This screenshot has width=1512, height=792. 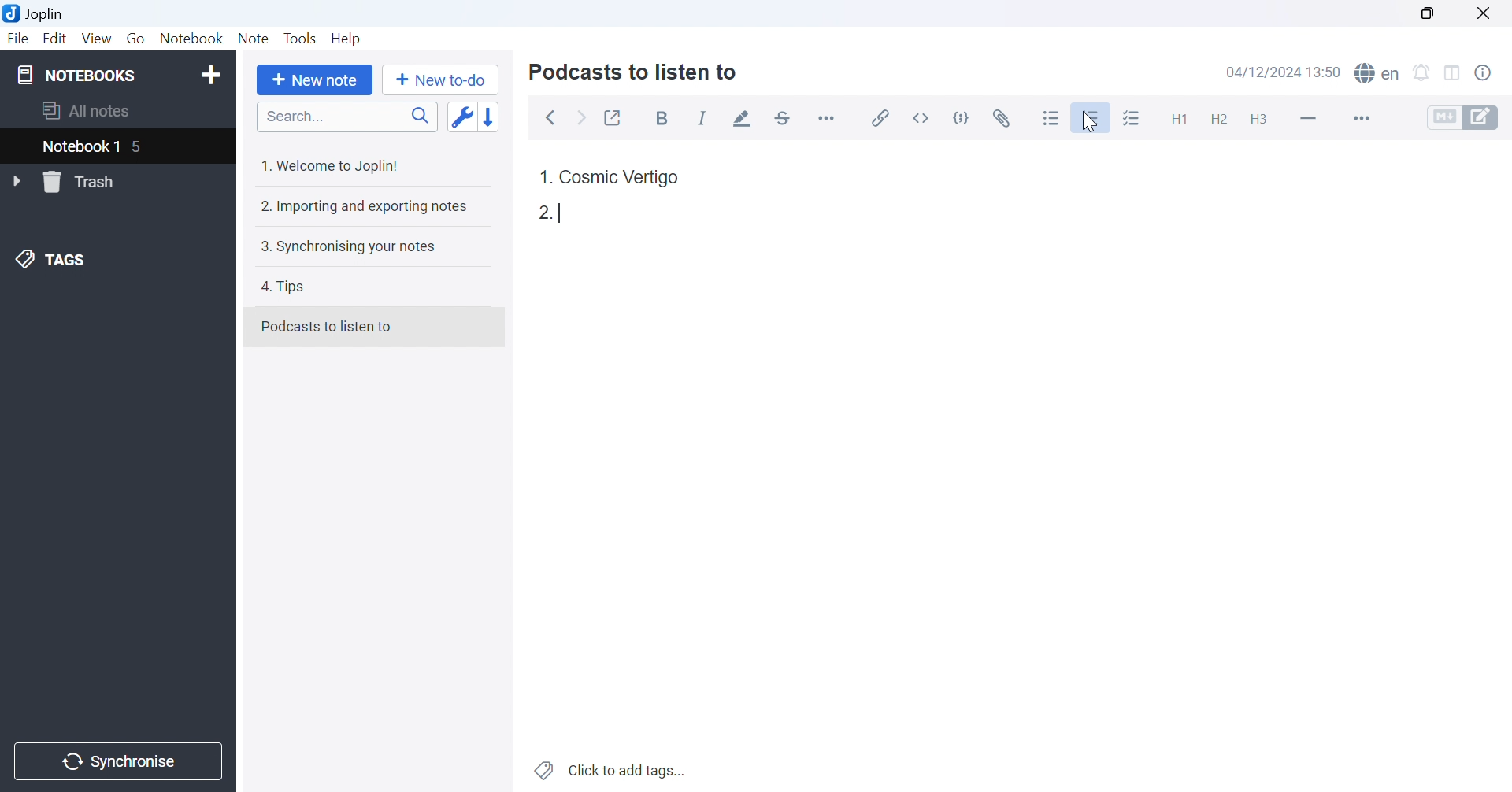 What do you see at coordinates (1004, 116) in the screenshot?
I see `Attach file` at bounding box center [1004, 116].